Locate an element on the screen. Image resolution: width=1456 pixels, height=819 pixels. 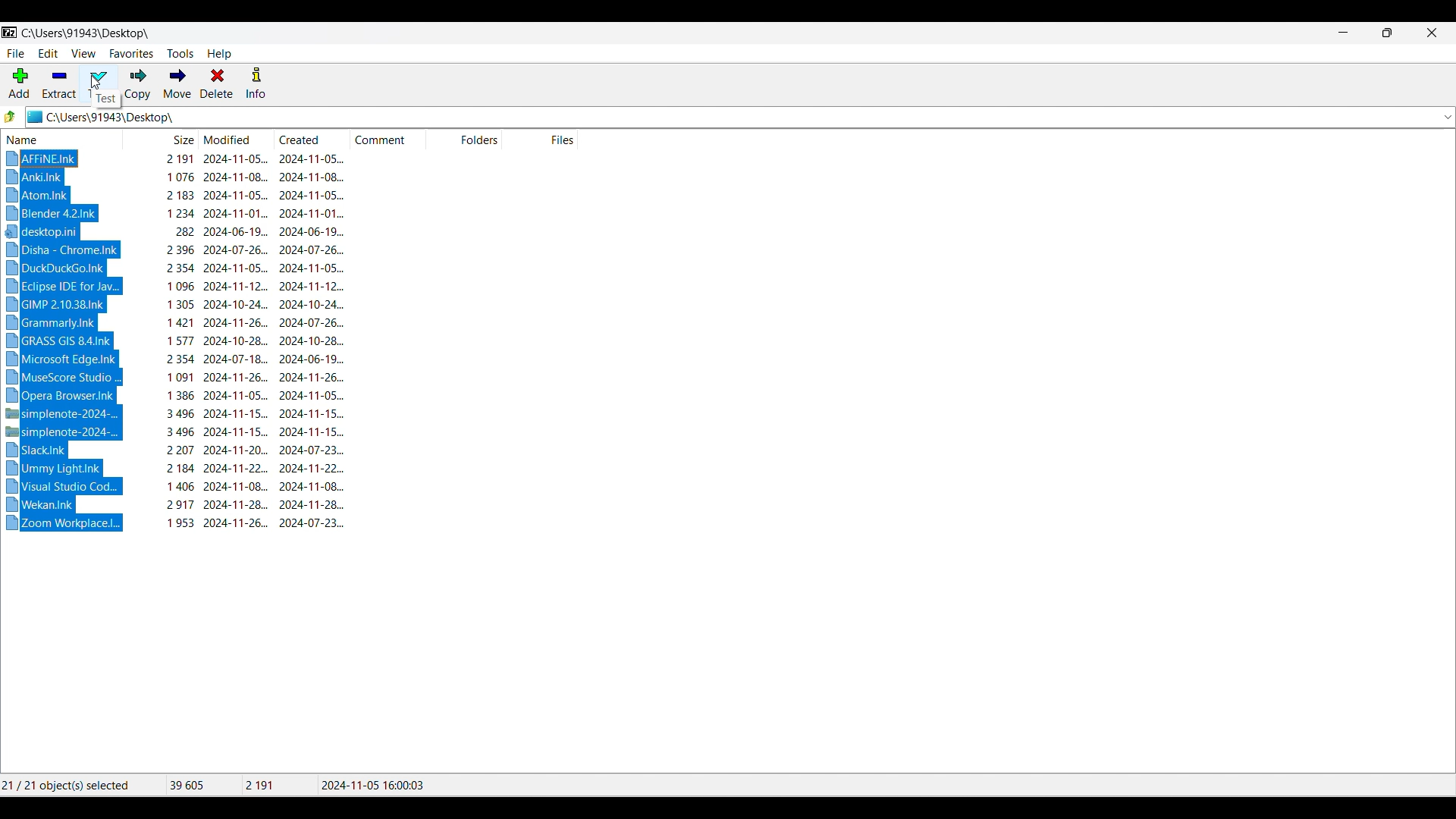
Edit menu is located at coordinates (49, 54).